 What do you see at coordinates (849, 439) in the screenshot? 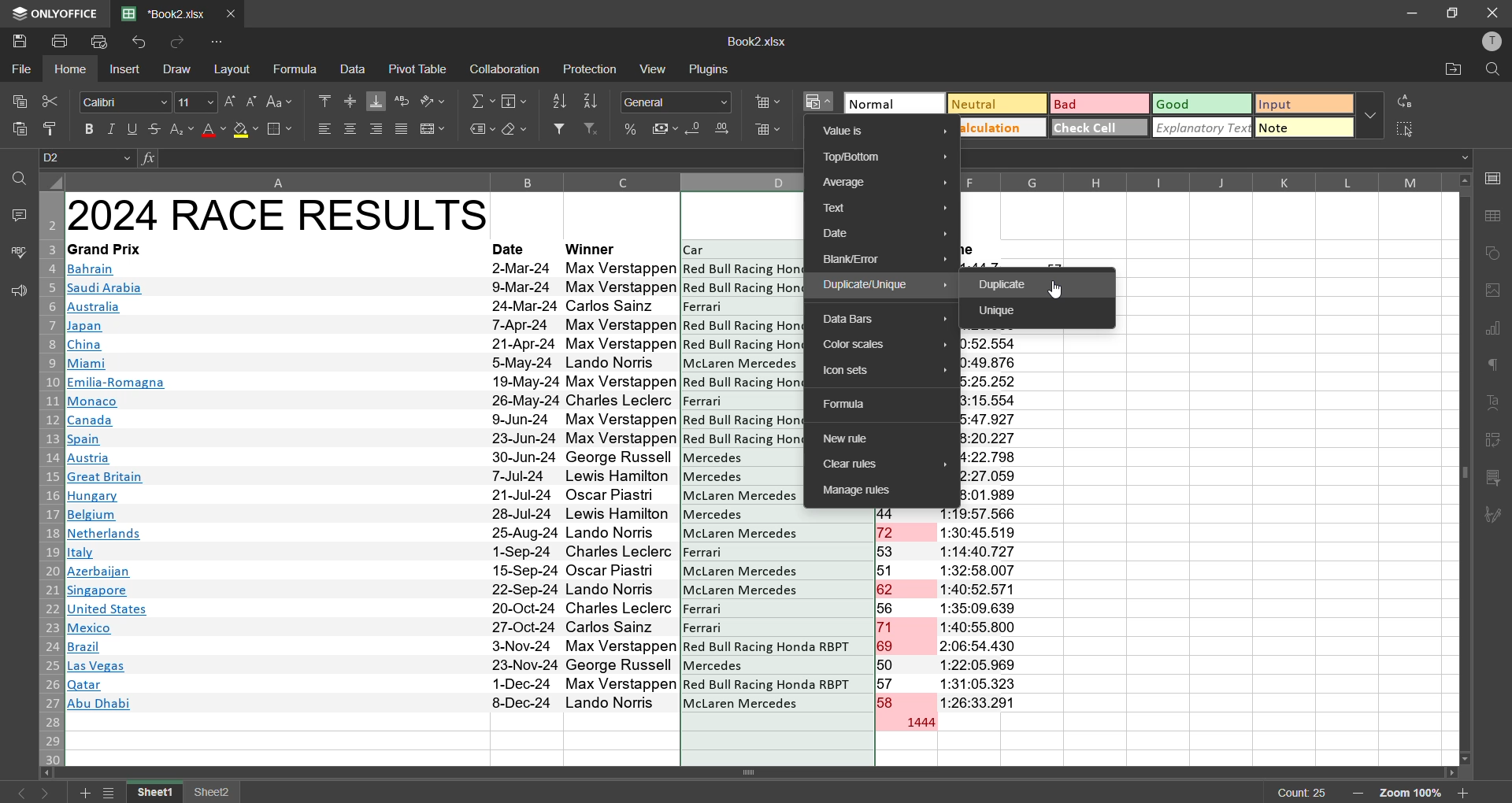
I see `new rule` at bounding box center [849, 439].